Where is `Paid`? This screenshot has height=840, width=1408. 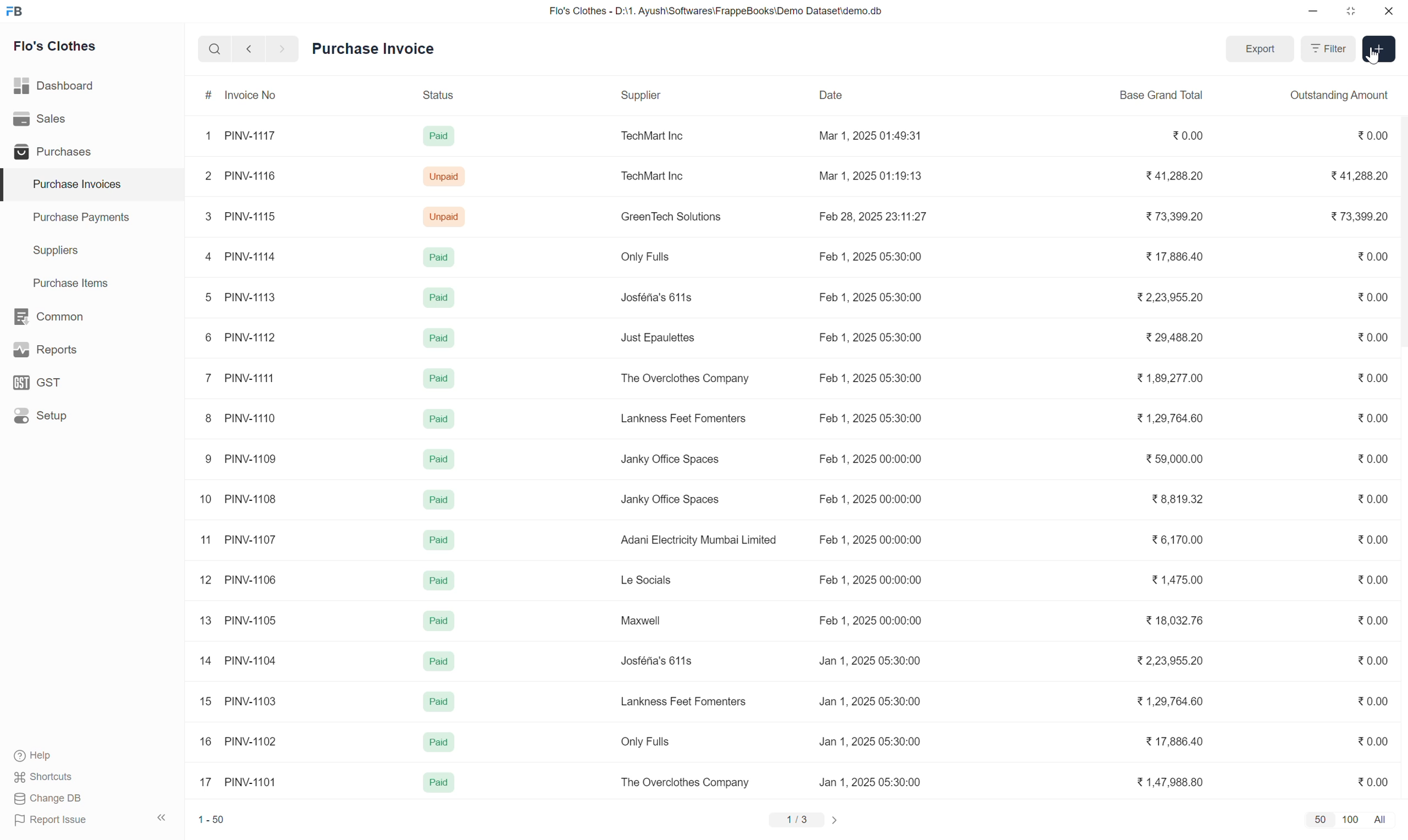 Paid is located at coordinates (439, 458).